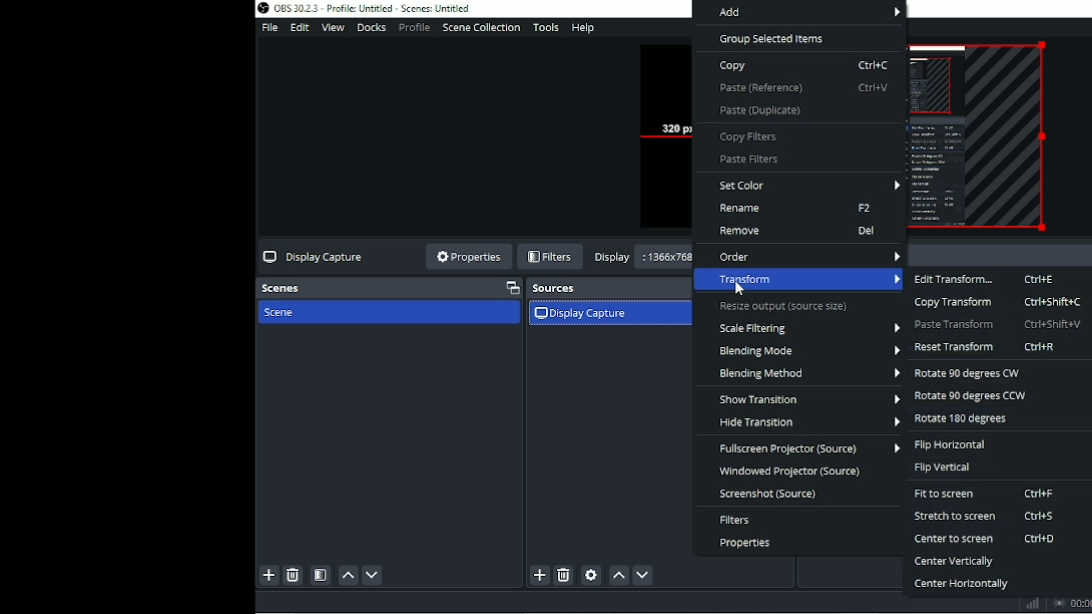  Describe the element at coordinates (468, 256) in the screenshot. I see `Properties` at that location.